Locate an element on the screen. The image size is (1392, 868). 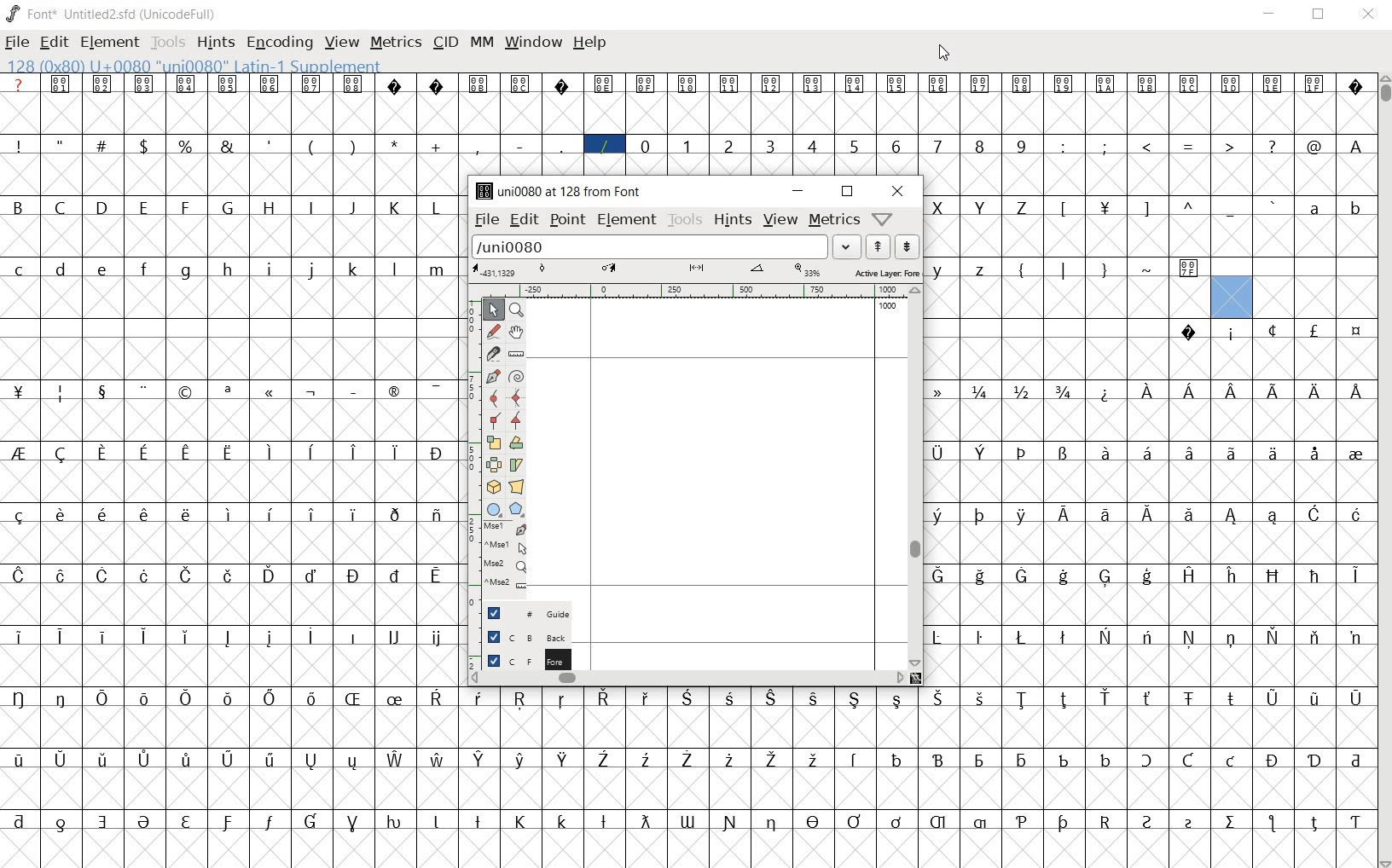
glyph is located at coordinates (61, 576).